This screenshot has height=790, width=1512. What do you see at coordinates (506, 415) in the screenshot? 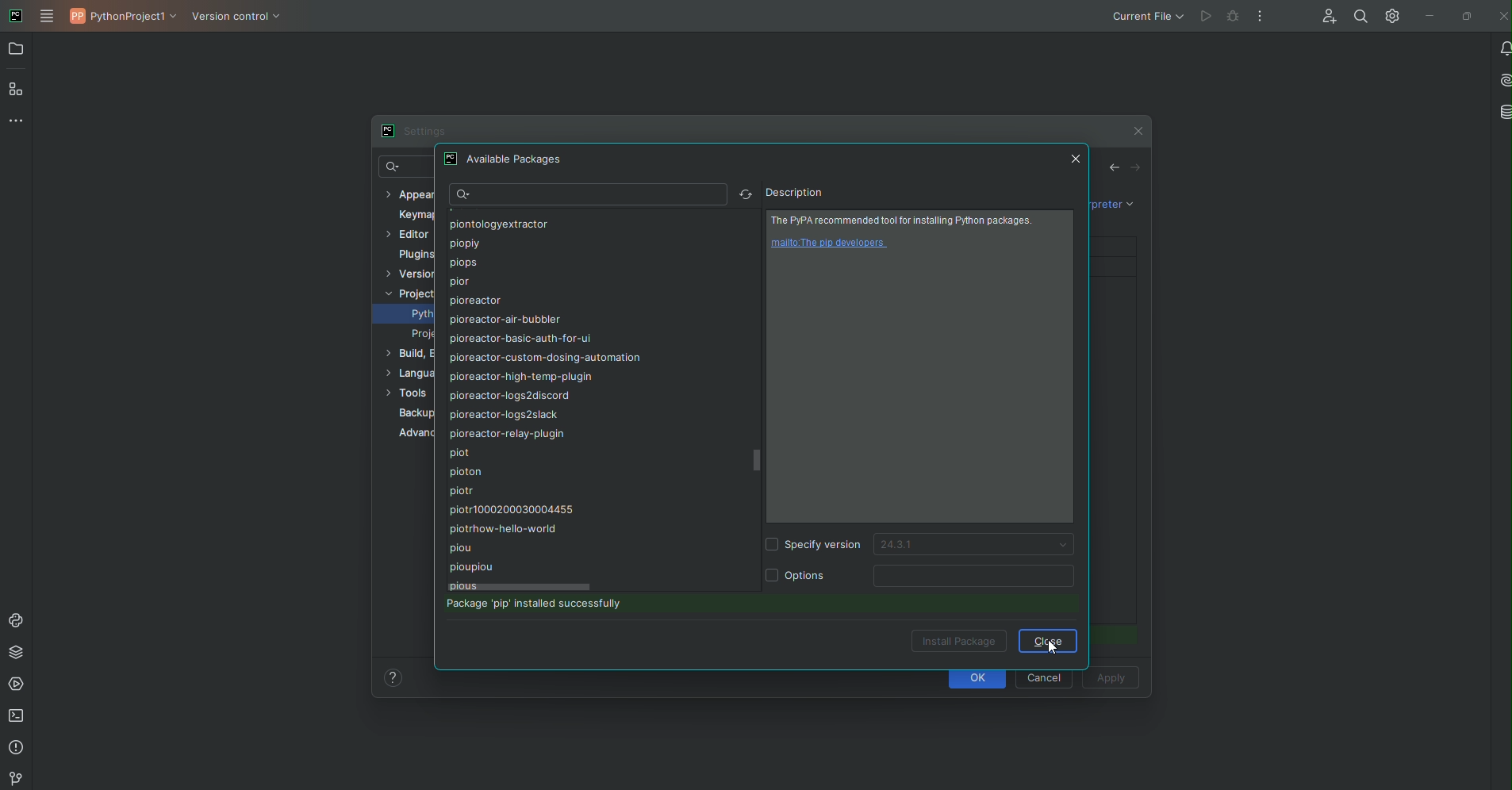
I see `pioreactor-log2slack` at bounding box center [506, 415].